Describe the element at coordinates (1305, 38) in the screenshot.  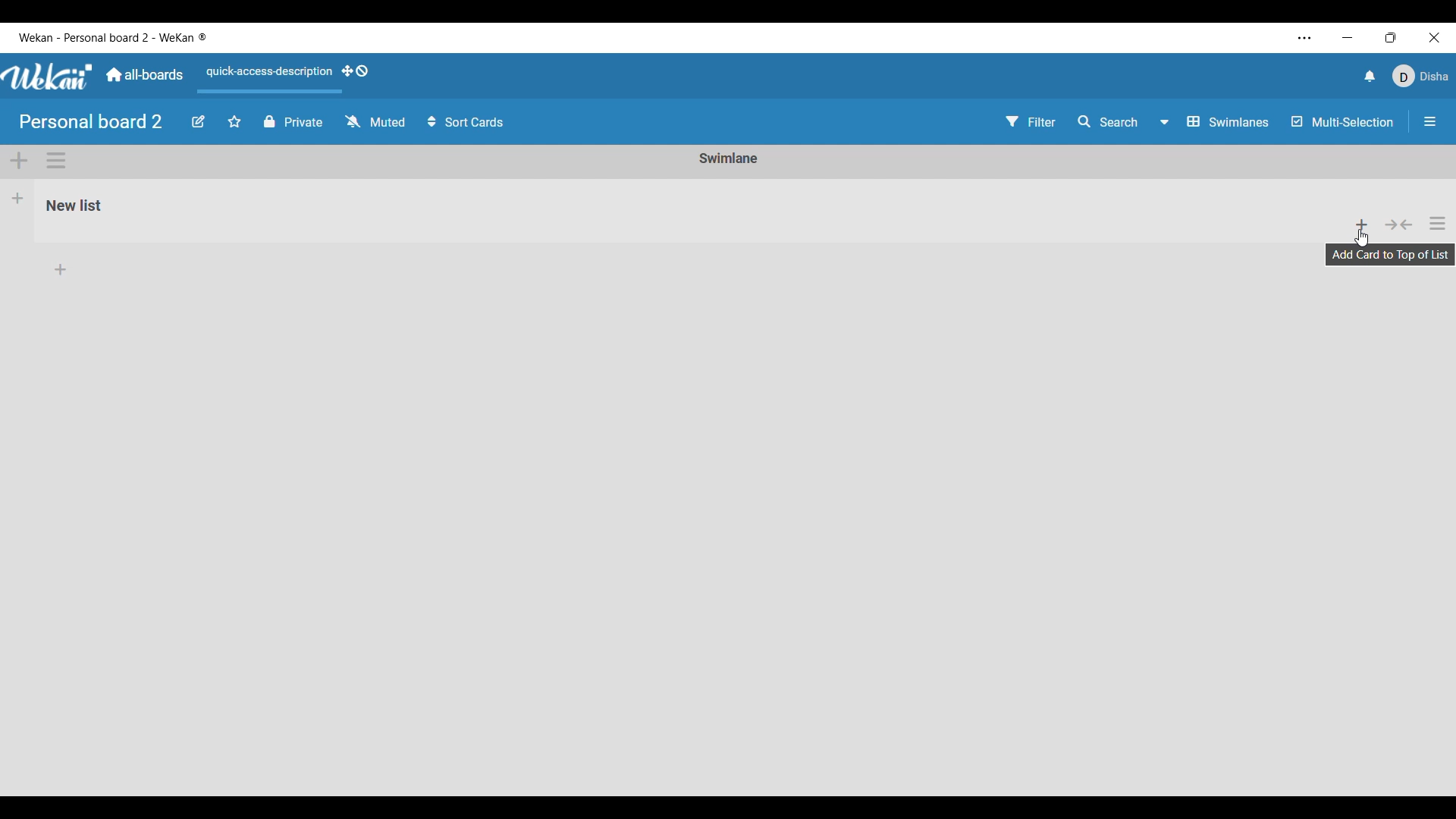
I see `More settings` at that location.